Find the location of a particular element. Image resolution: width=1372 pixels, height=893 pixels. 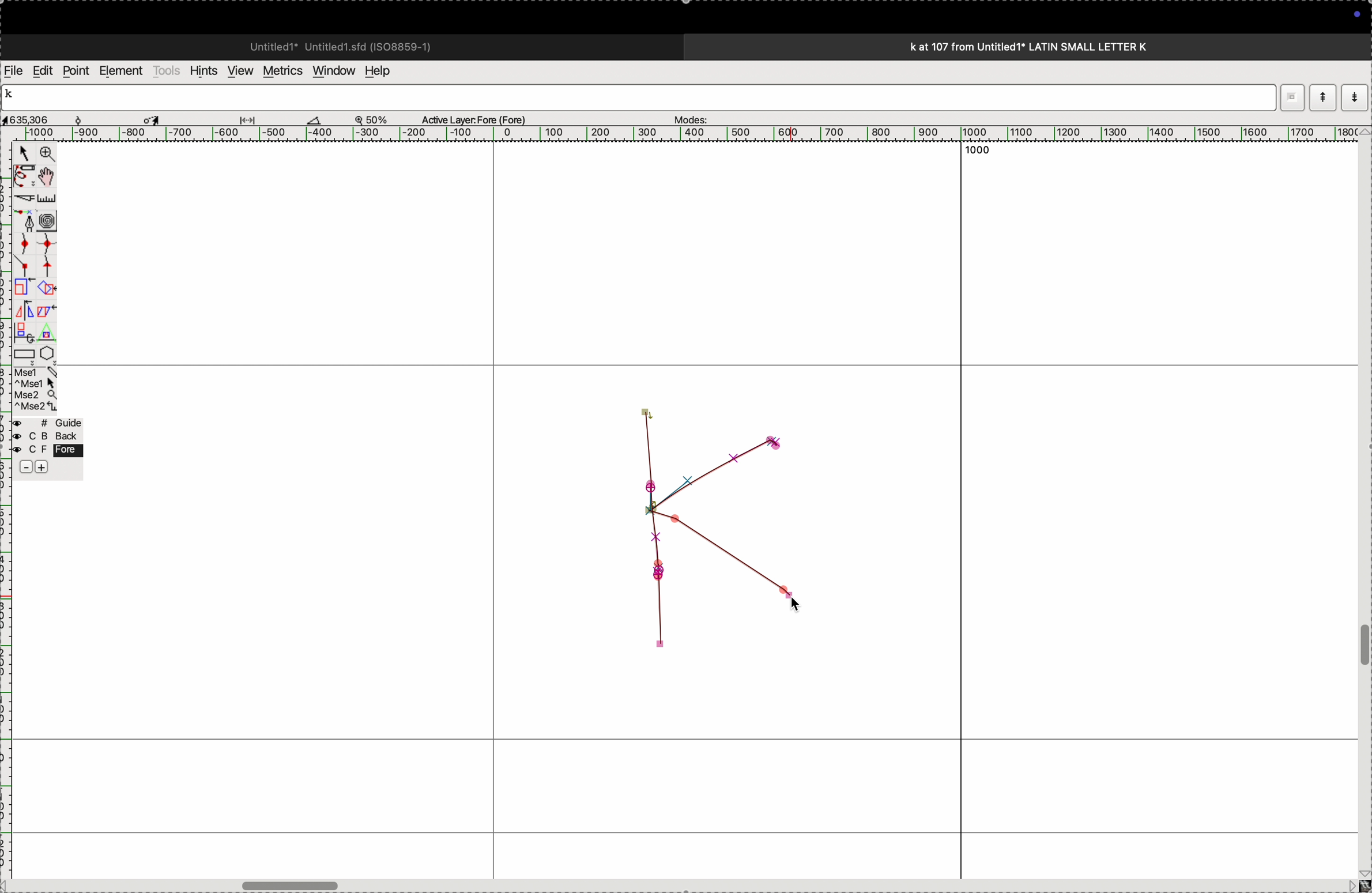

. is located at coordinates (1353, 97).